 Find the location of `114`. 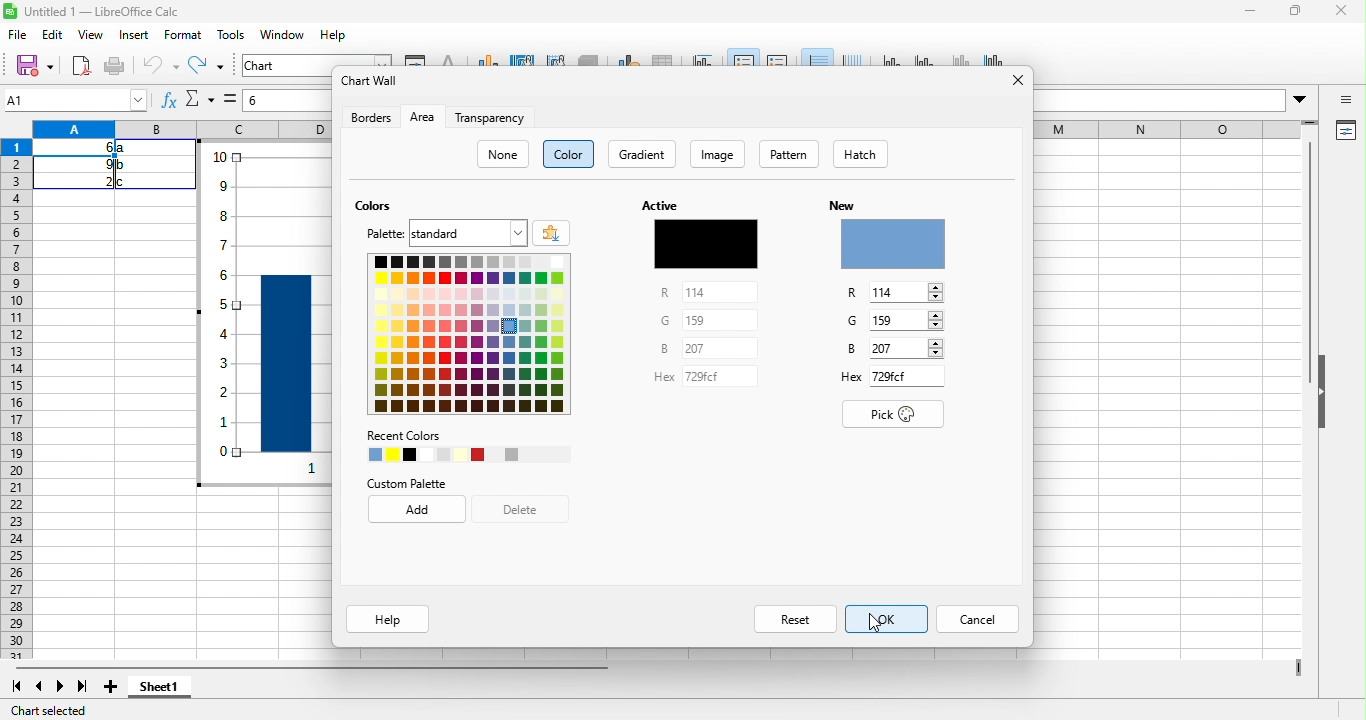

114 is located at coordinates (907, 292).